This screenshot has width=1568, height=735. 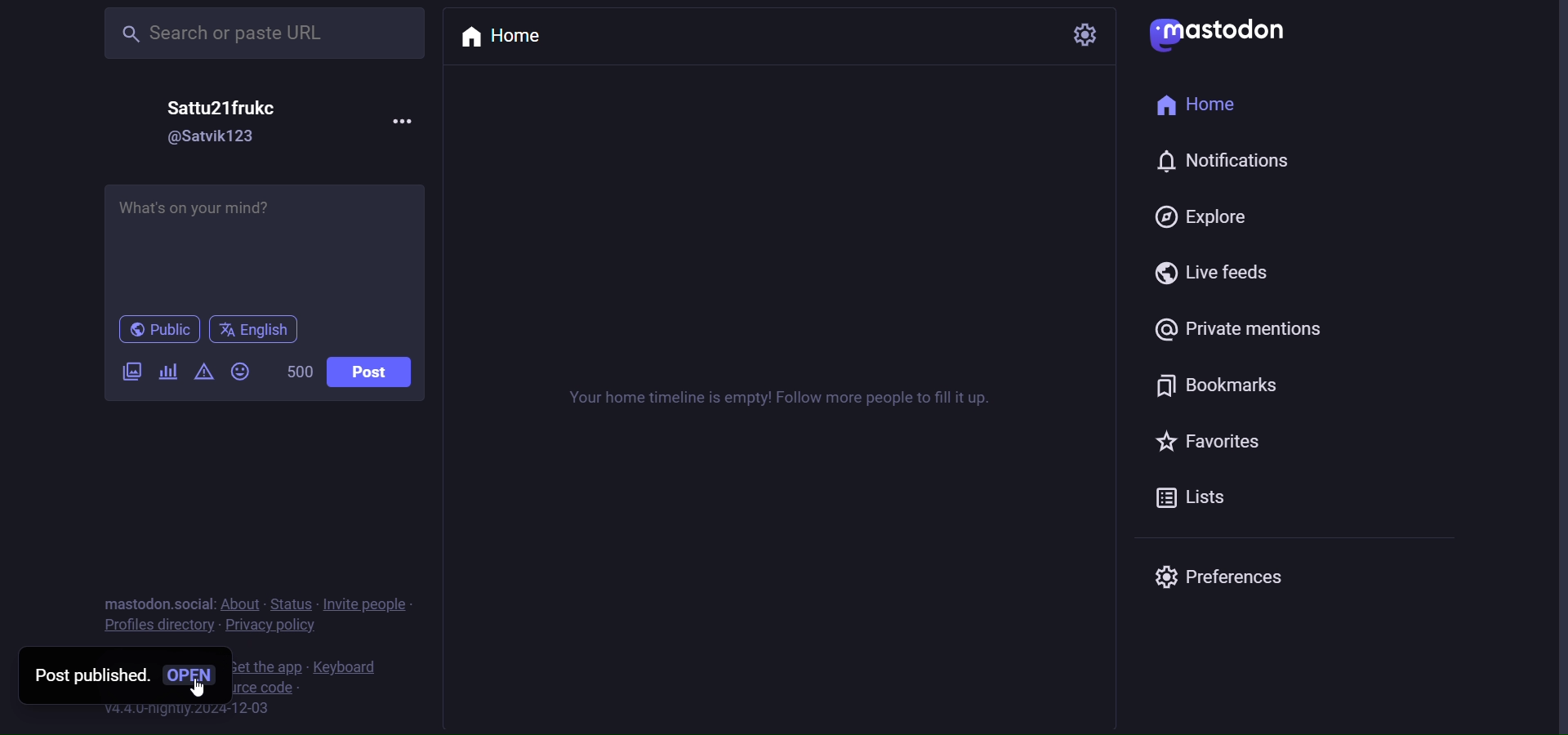 What do you see at coordinates (278, 245) in the screenshot?
I see `write here` at bounding box center [278, 245].